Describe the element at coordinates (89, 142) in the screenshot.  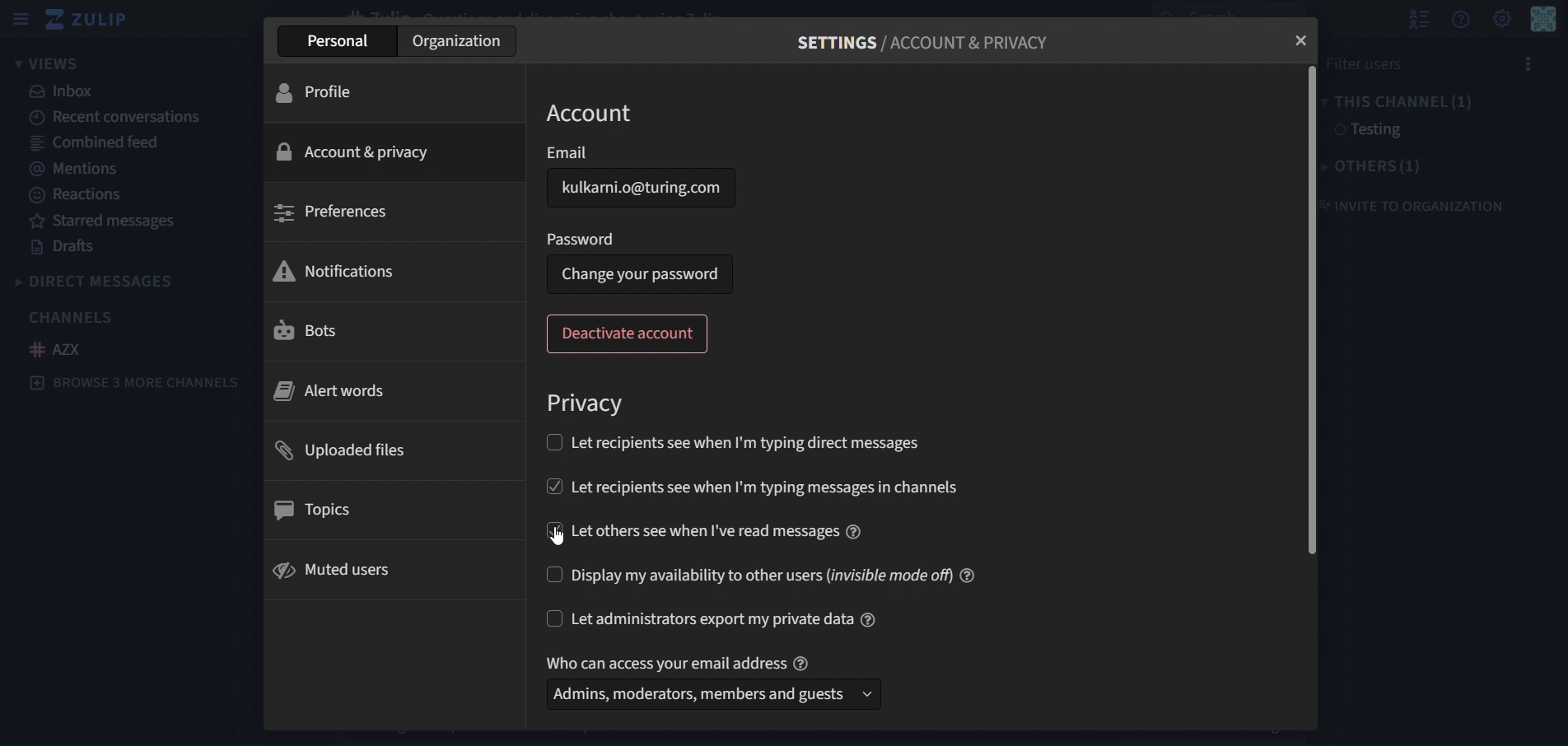
I see `combined feed` at that location.